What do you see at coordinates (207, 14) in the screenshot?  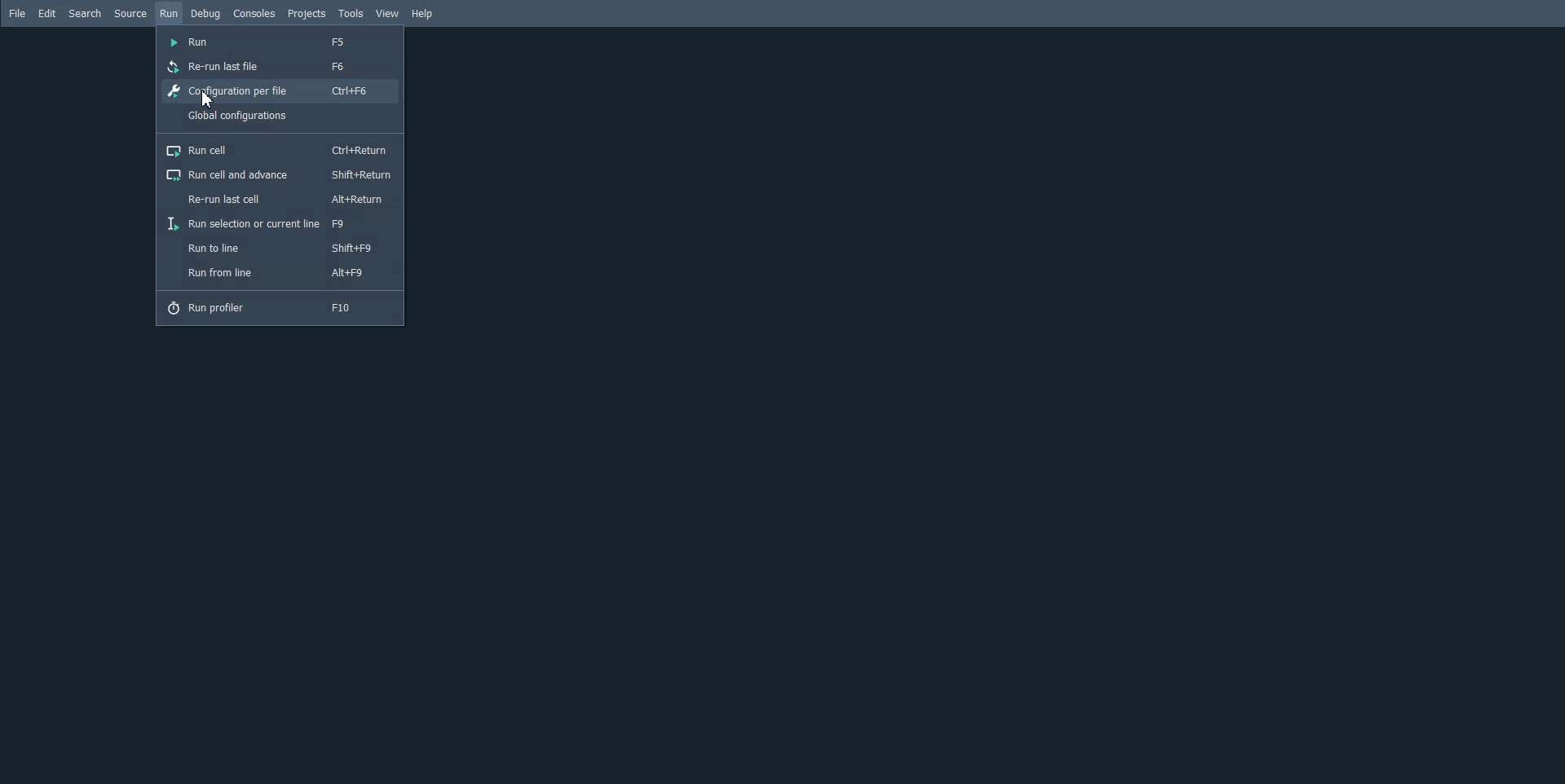 I see `Debug` at bounding box center [207, 14].